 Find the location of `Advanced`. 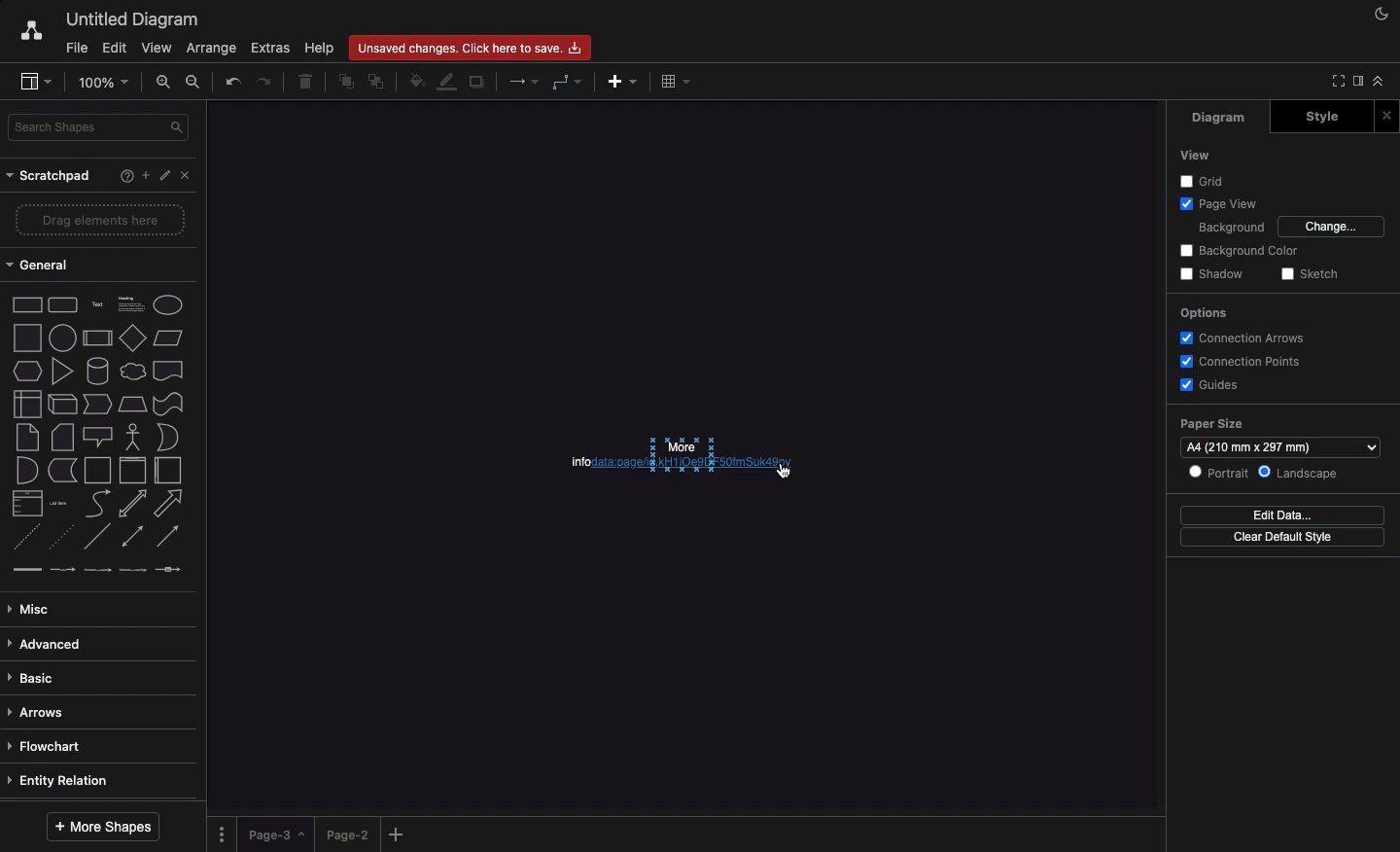

Advanced is located at coordinates (49, 646).